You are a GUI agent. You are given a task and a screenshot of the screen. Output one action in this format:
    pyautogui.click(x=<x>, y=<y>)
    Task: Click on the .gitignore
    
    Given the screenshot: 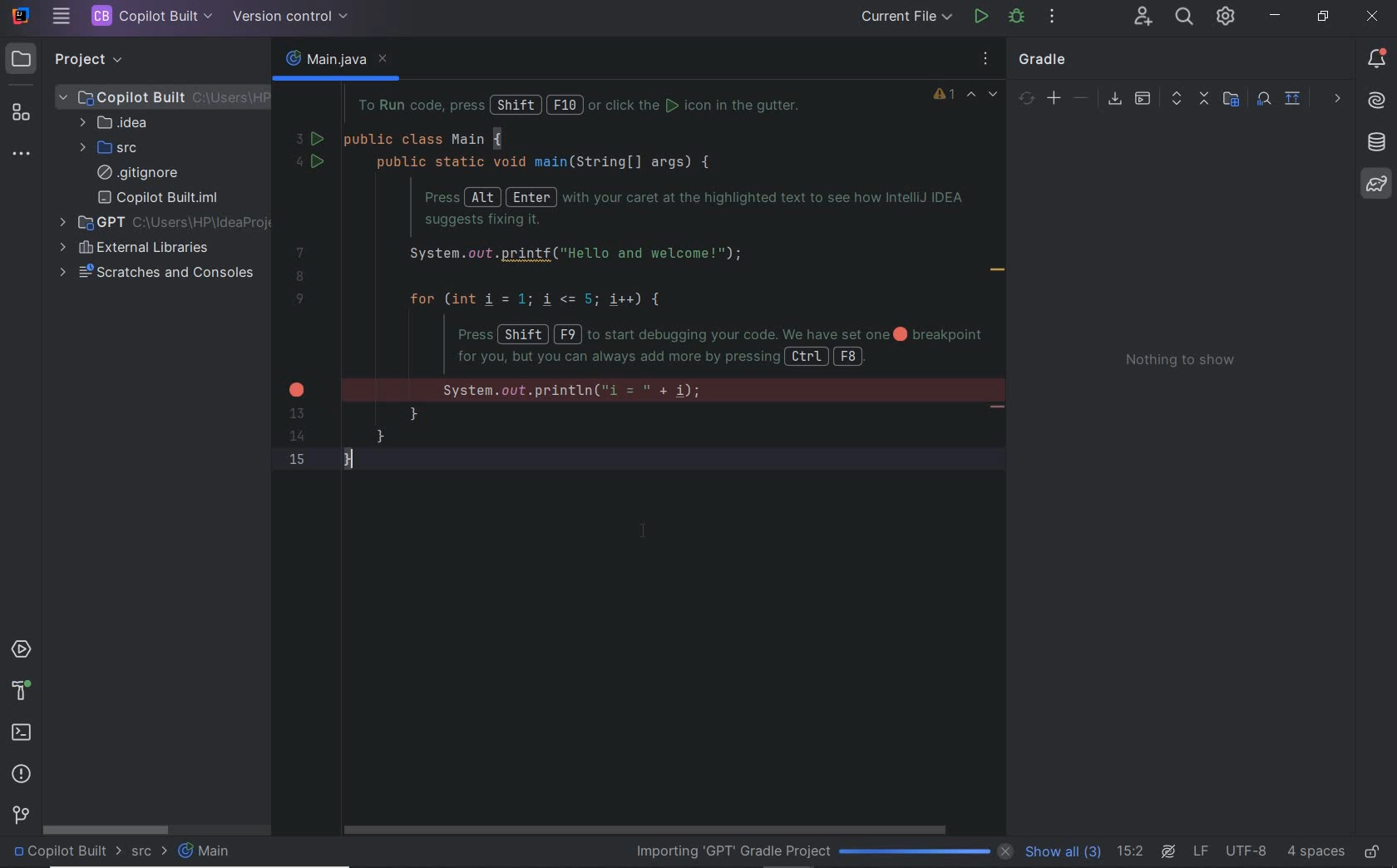 What is the action you would take?
    pyautogui.click(x=134, y=174)
    